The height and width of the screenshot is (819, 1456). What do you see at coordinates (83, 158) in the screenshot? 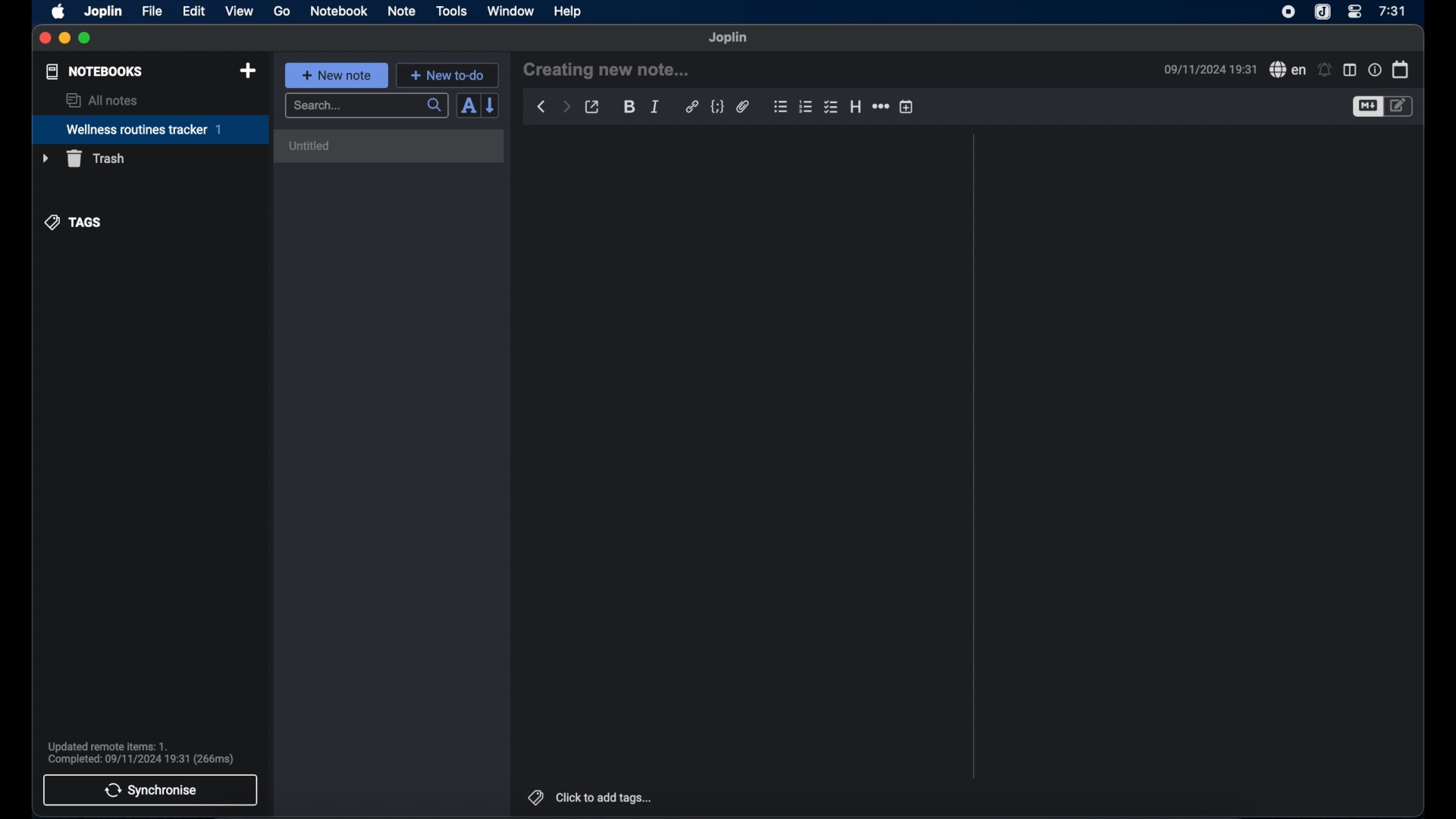
I see `trash` at bounding box center [83, 158].